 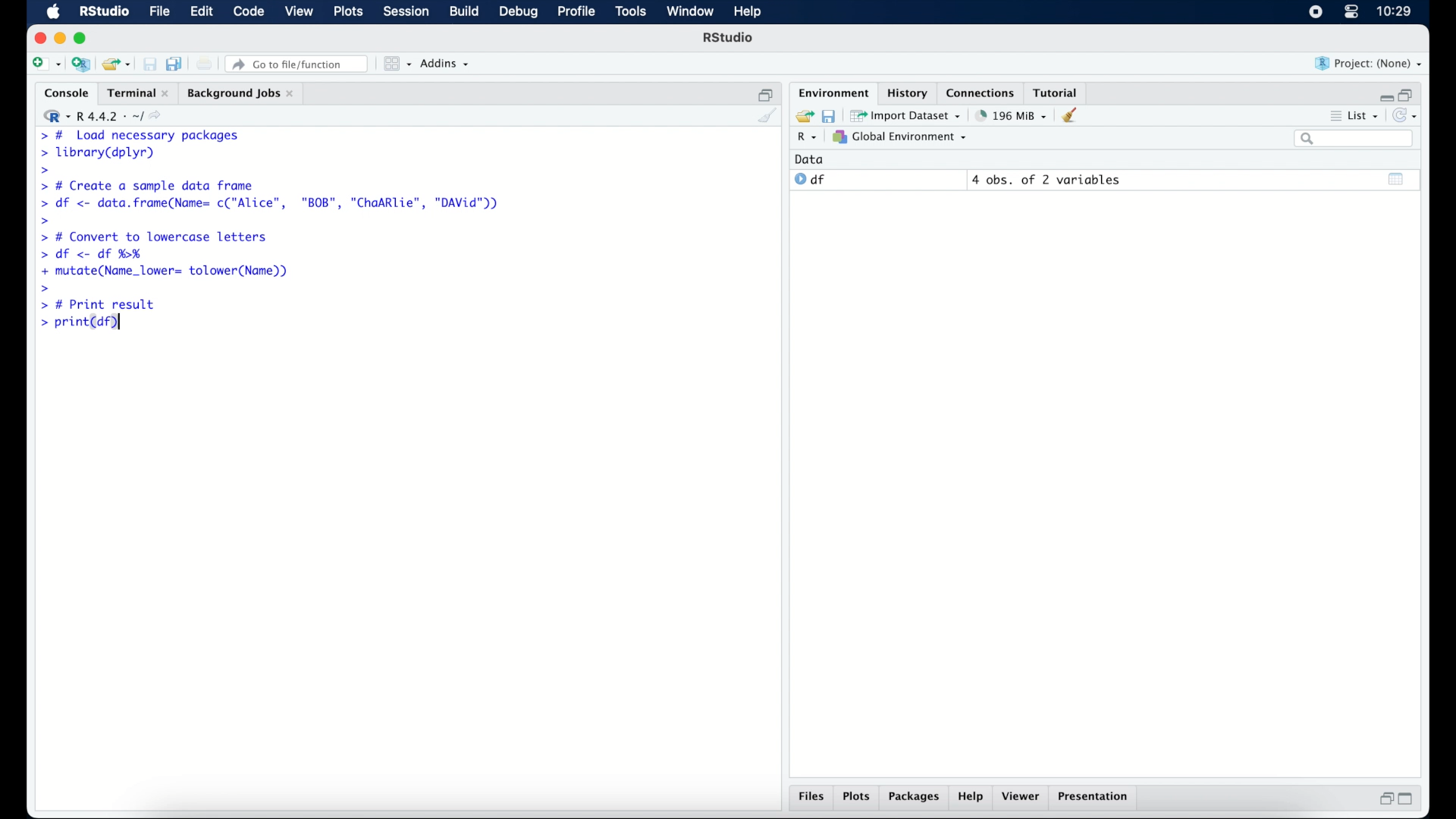 What do you see at coordinates (158, 12) in the screenshot?
I see `file` at bounding box center [158, 12].